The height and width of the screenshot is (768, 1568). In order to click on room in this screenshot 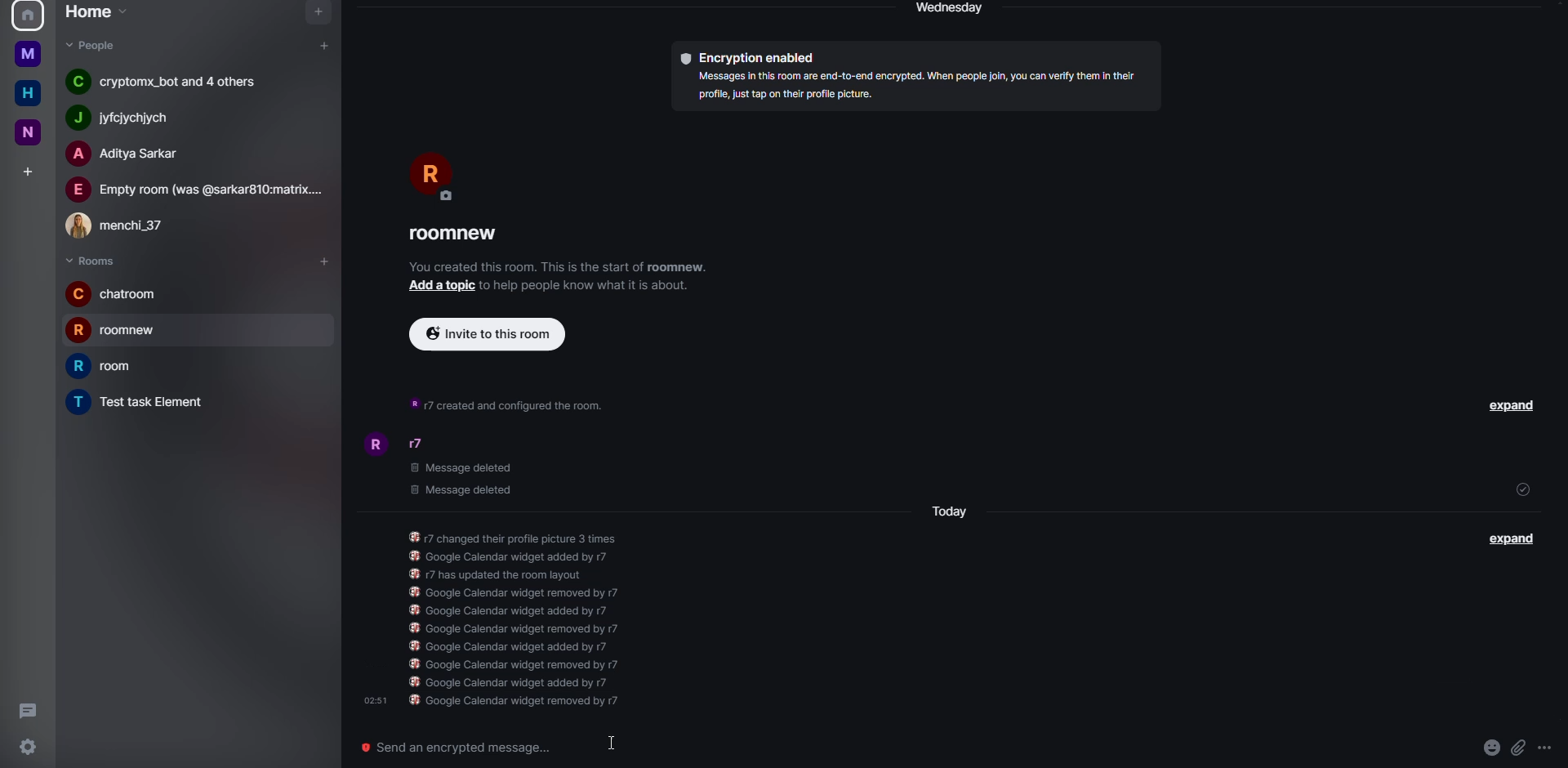, I will do `click(144, 401)`.